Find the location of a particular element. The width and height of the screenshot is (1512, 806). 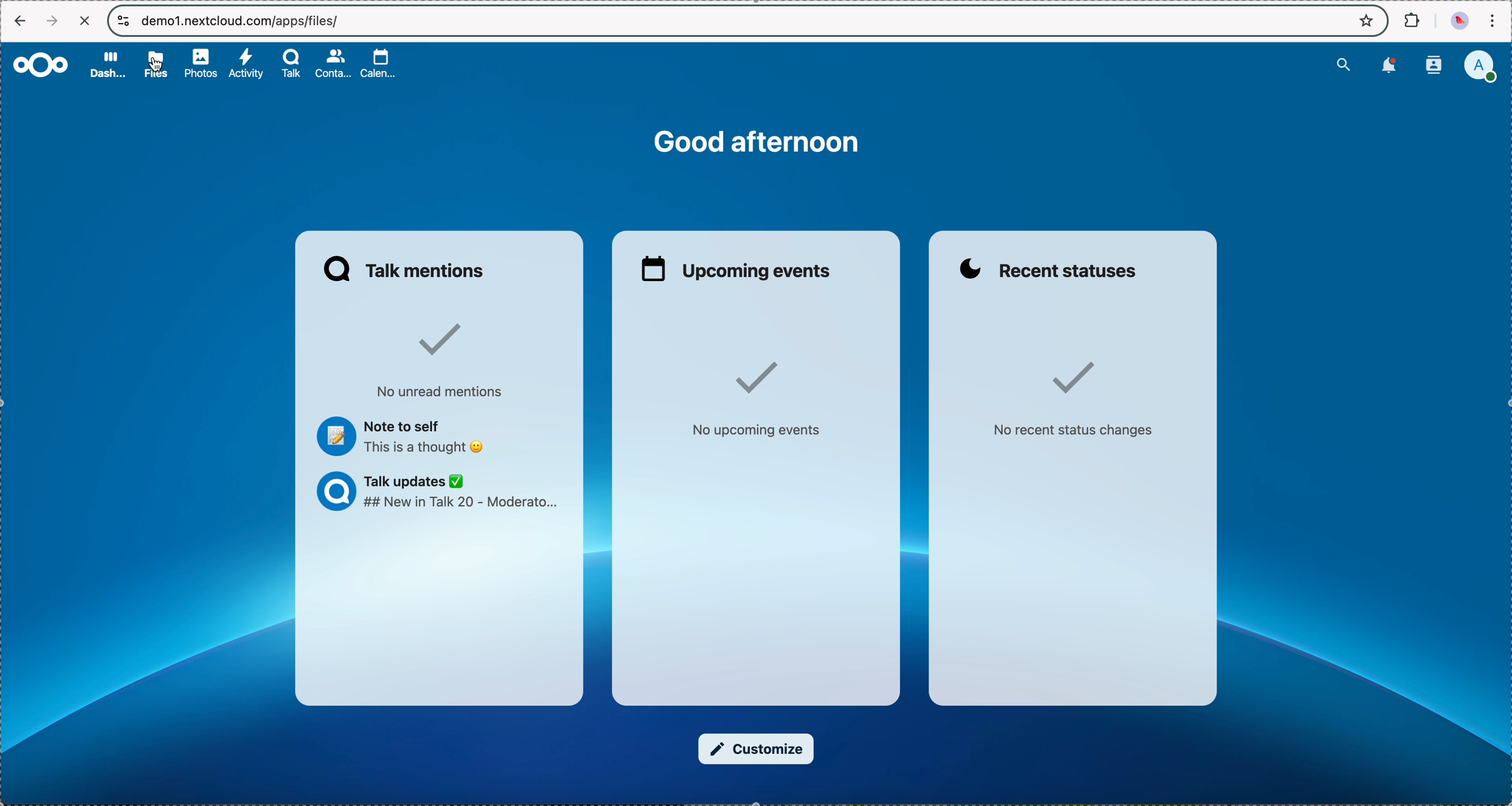

extensions is located at coordinates (1412, 21).